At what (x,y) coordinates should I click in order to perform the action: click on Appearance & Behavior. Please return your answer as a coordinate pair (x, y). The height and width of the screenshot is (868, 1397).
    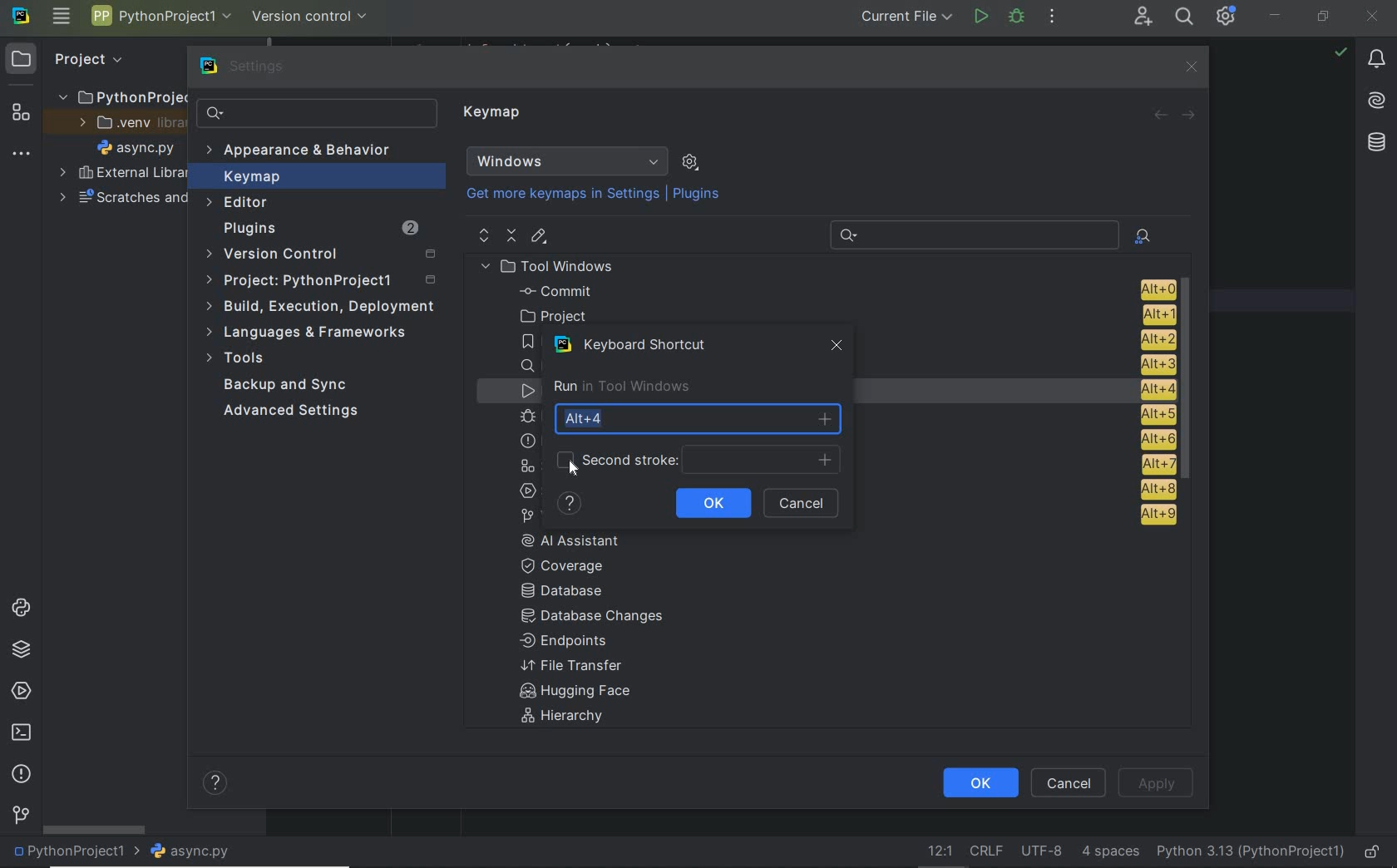
    Looking at the image, I should click on (301, 151).